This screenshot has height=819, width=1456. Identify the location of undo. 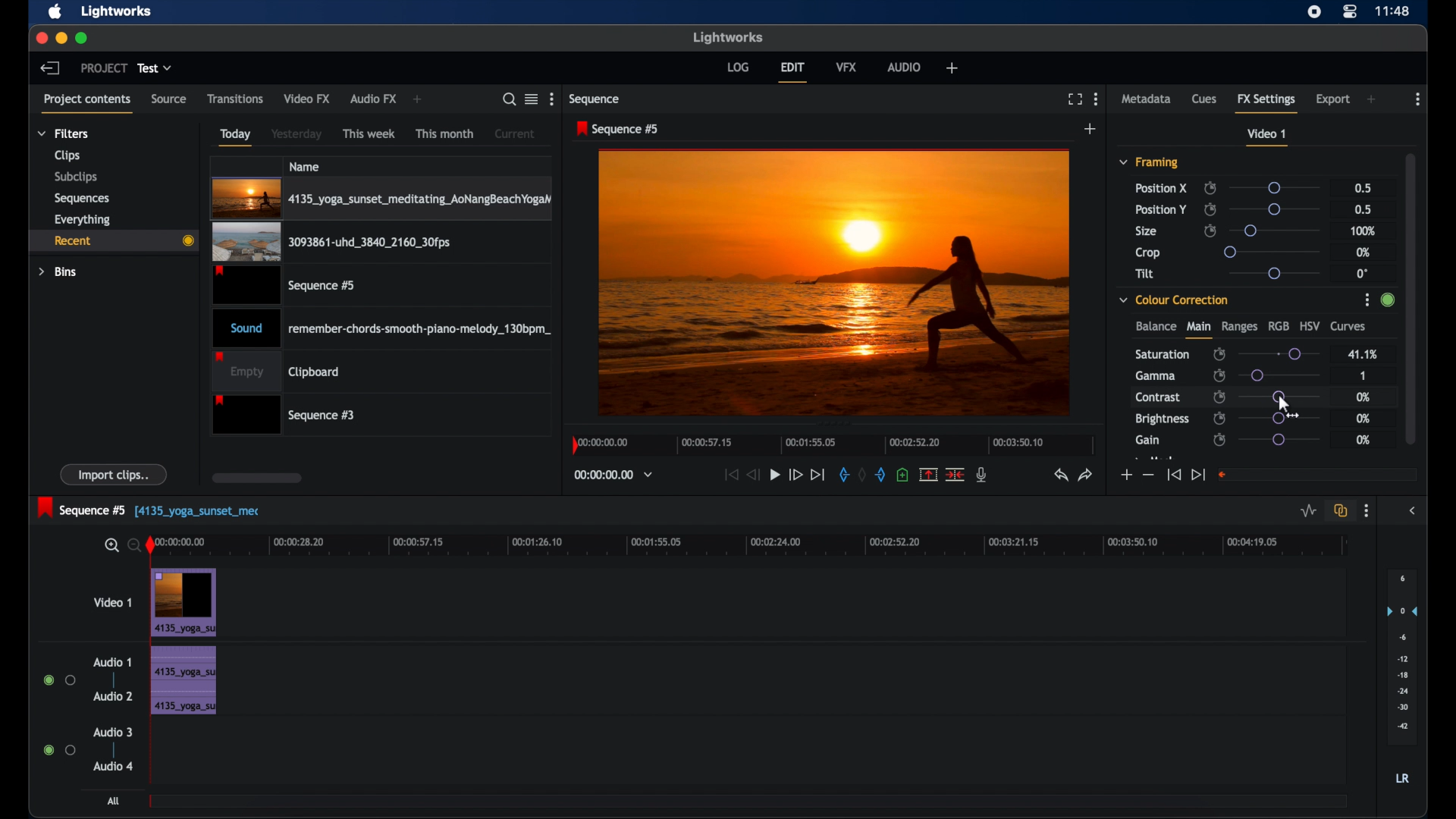
(1061, 475).